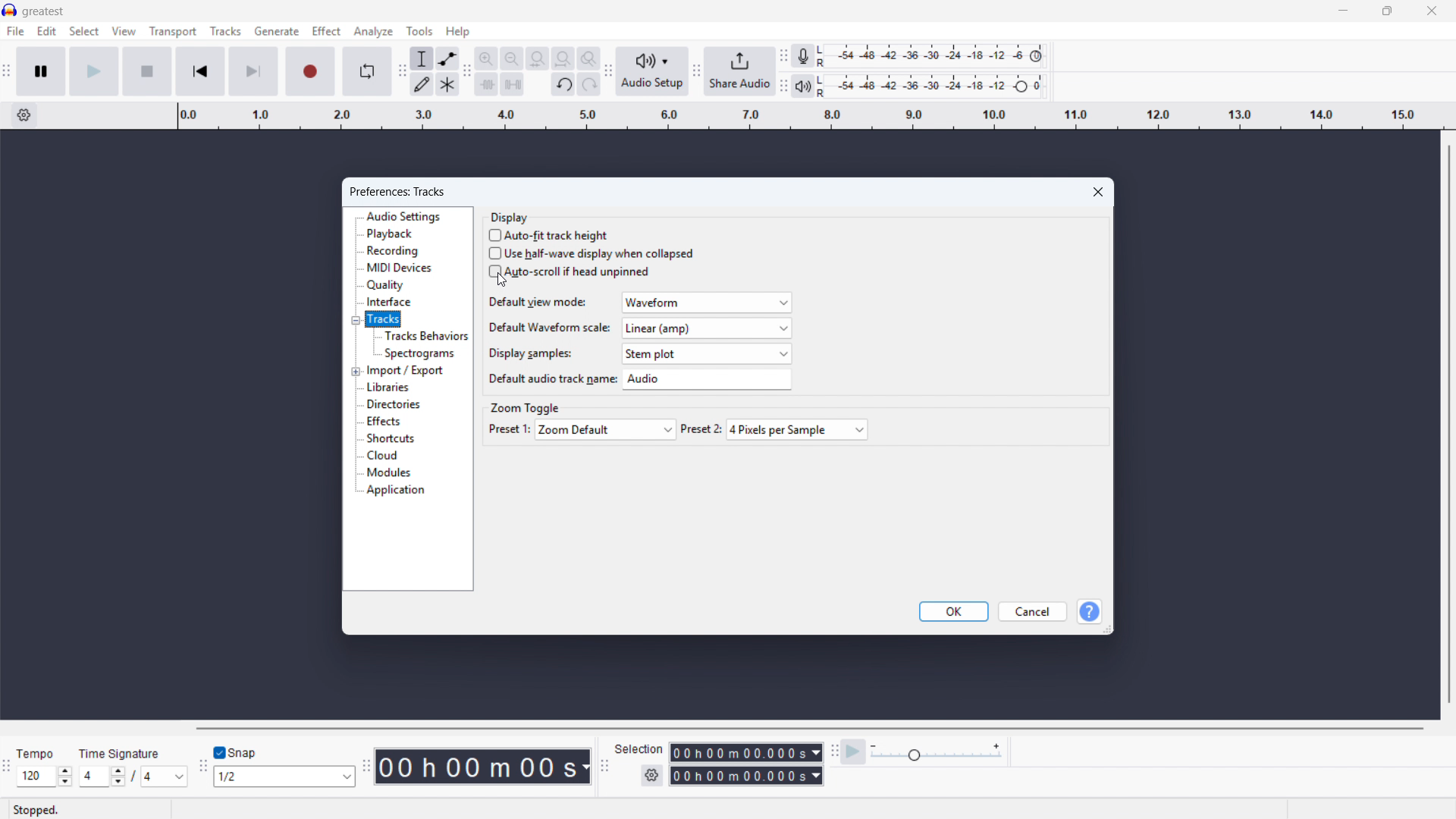 The width and height of the screenshot is (1456, 819). What do you see at coordinates (745, 753) in the screenshot?
I see `Selection start time` at bounding box center [745, 753].